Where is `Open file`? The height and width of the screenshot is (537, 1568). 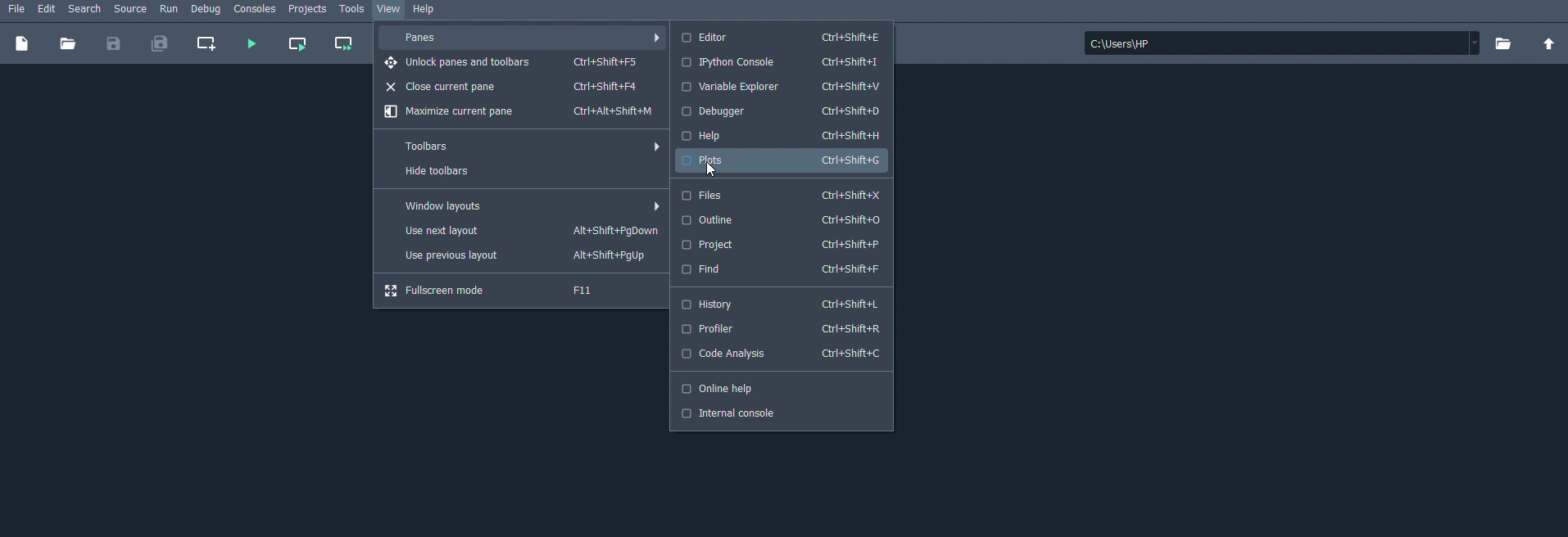 Open file is located at coordinates (68, 43).